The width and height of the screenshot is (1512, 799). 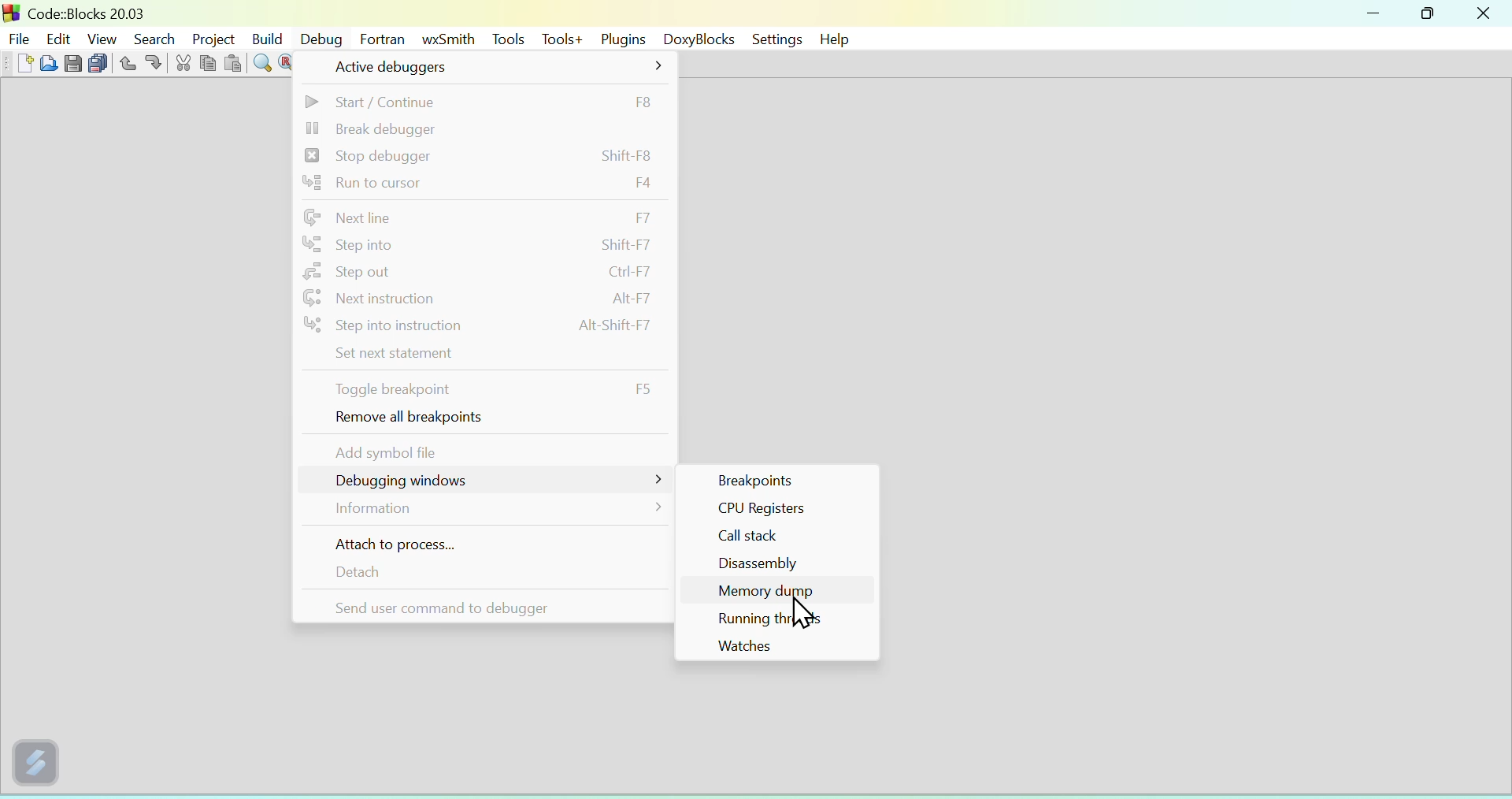 What do you see at coordinates (485, 217) in the screenshot?
I see `next line` at bounding box center [485, 217].